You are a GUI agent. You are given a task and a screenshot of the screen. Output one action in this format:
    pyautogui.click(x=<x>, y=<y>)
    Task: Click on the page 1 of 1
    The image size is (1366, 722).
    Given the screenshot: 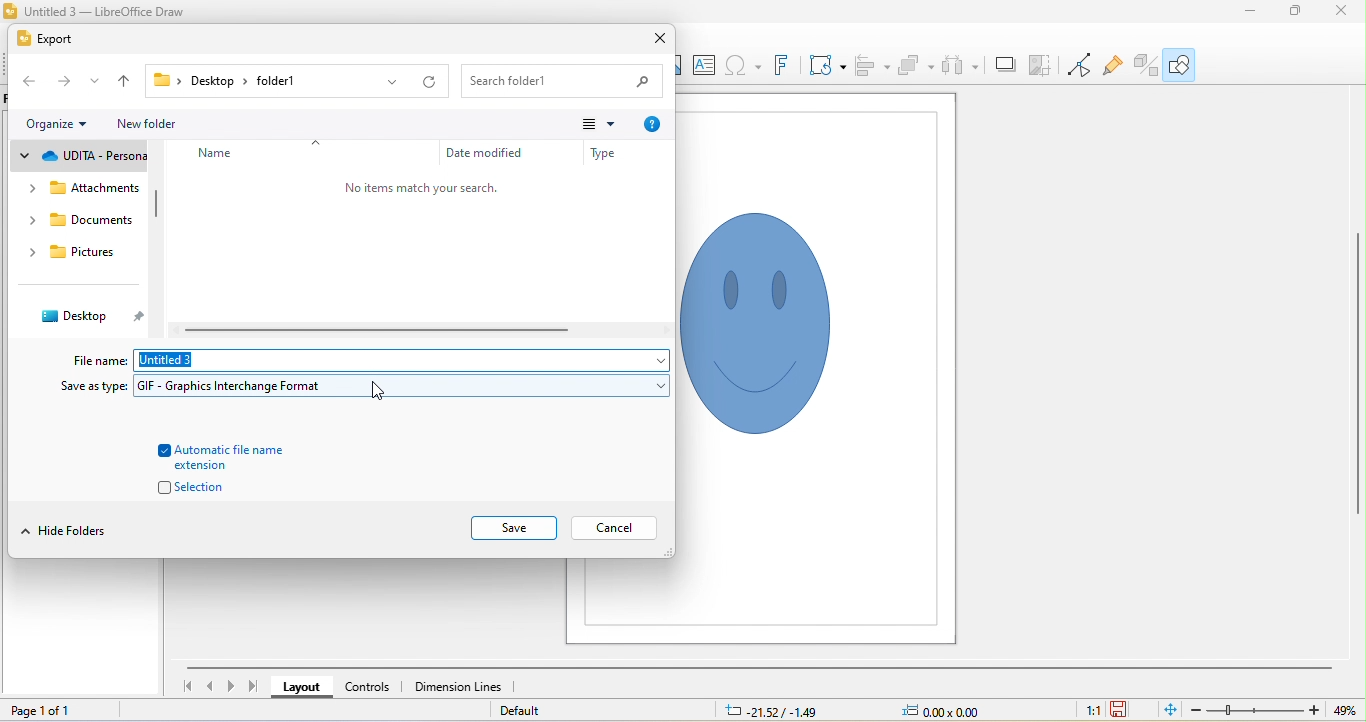 What is the action you would take?
    pyautogui.click(x=42, y=711)
    